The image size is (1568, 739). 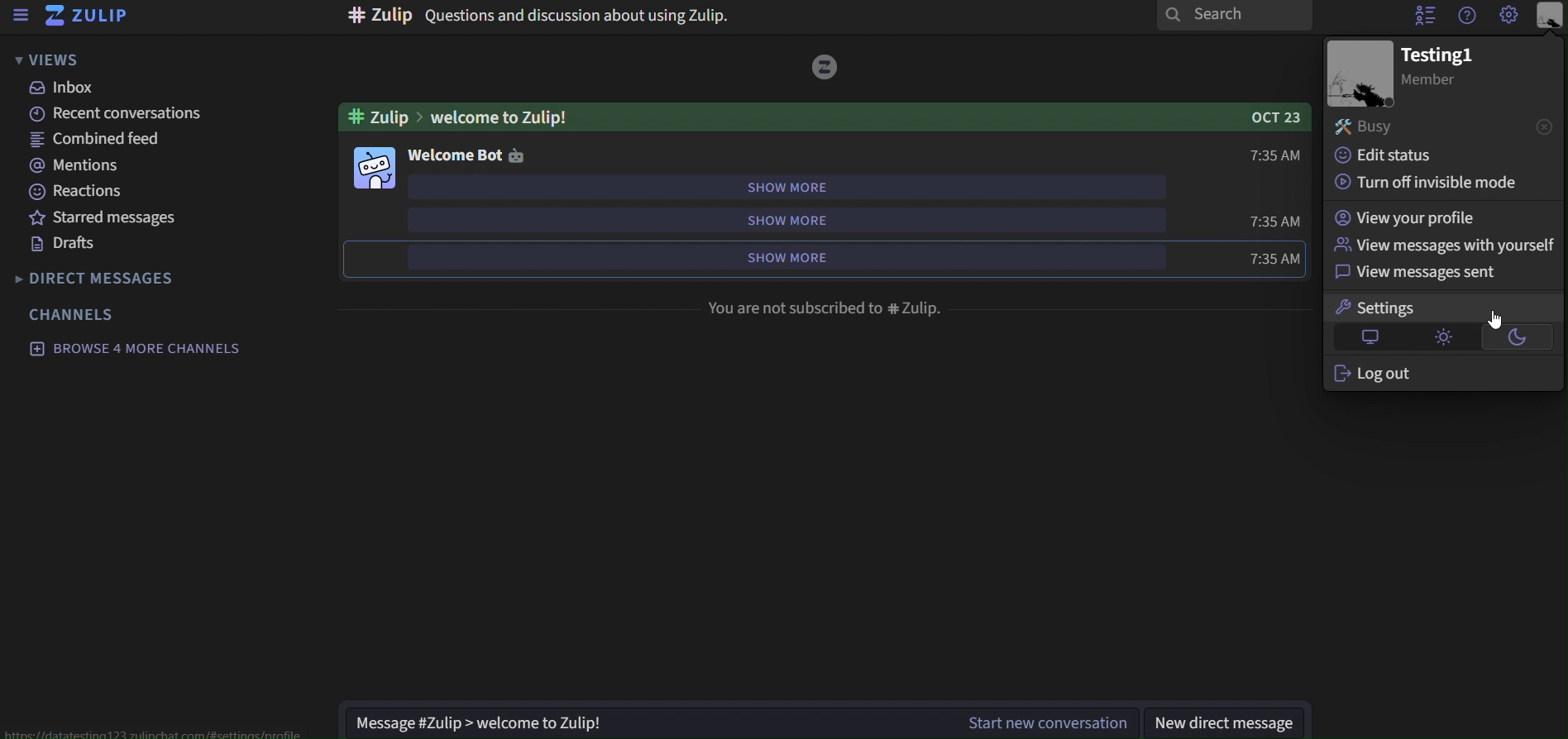 I want to click on view messages sent, so click(x=1436, y=272).